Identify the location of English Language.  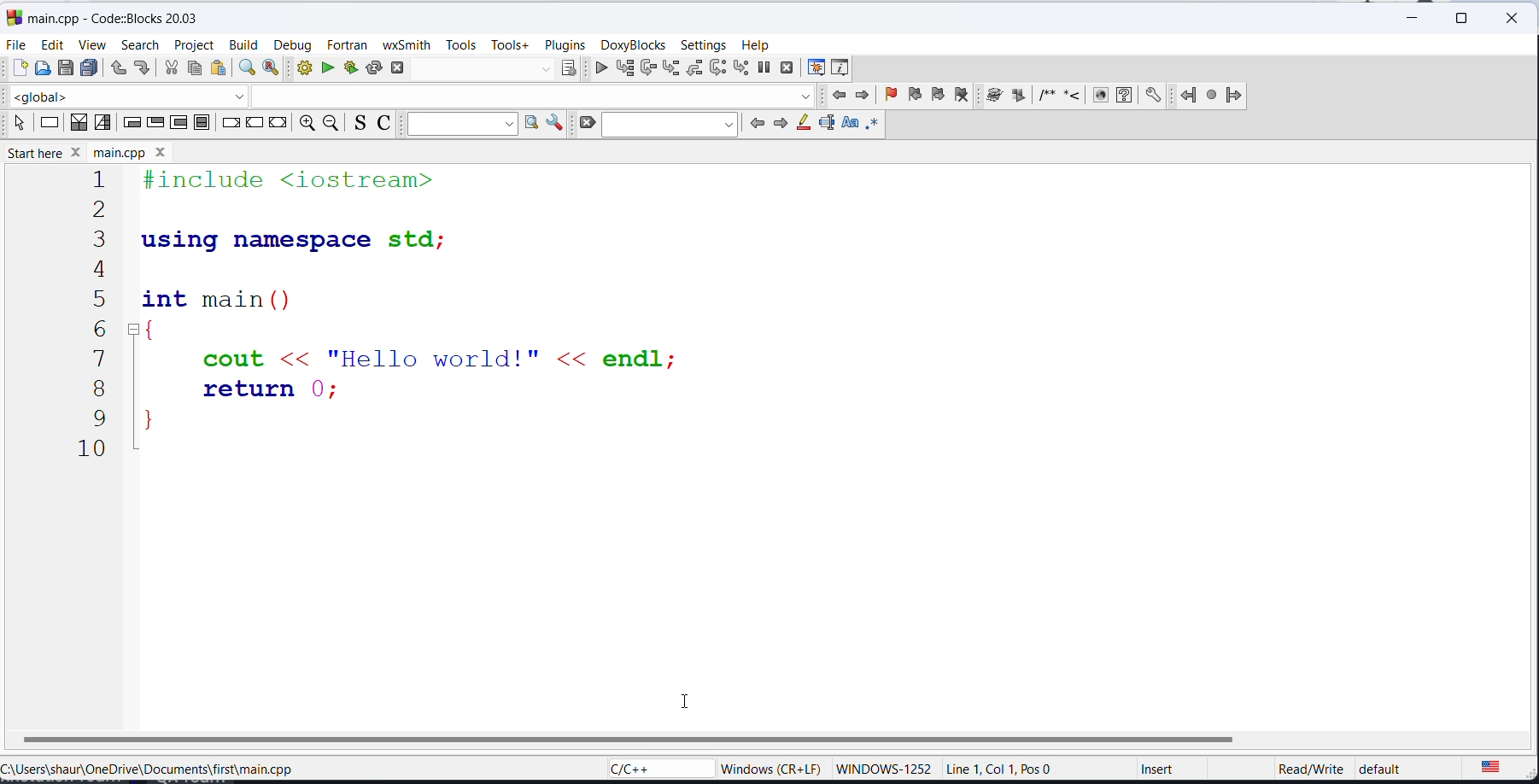
(1495, 766).